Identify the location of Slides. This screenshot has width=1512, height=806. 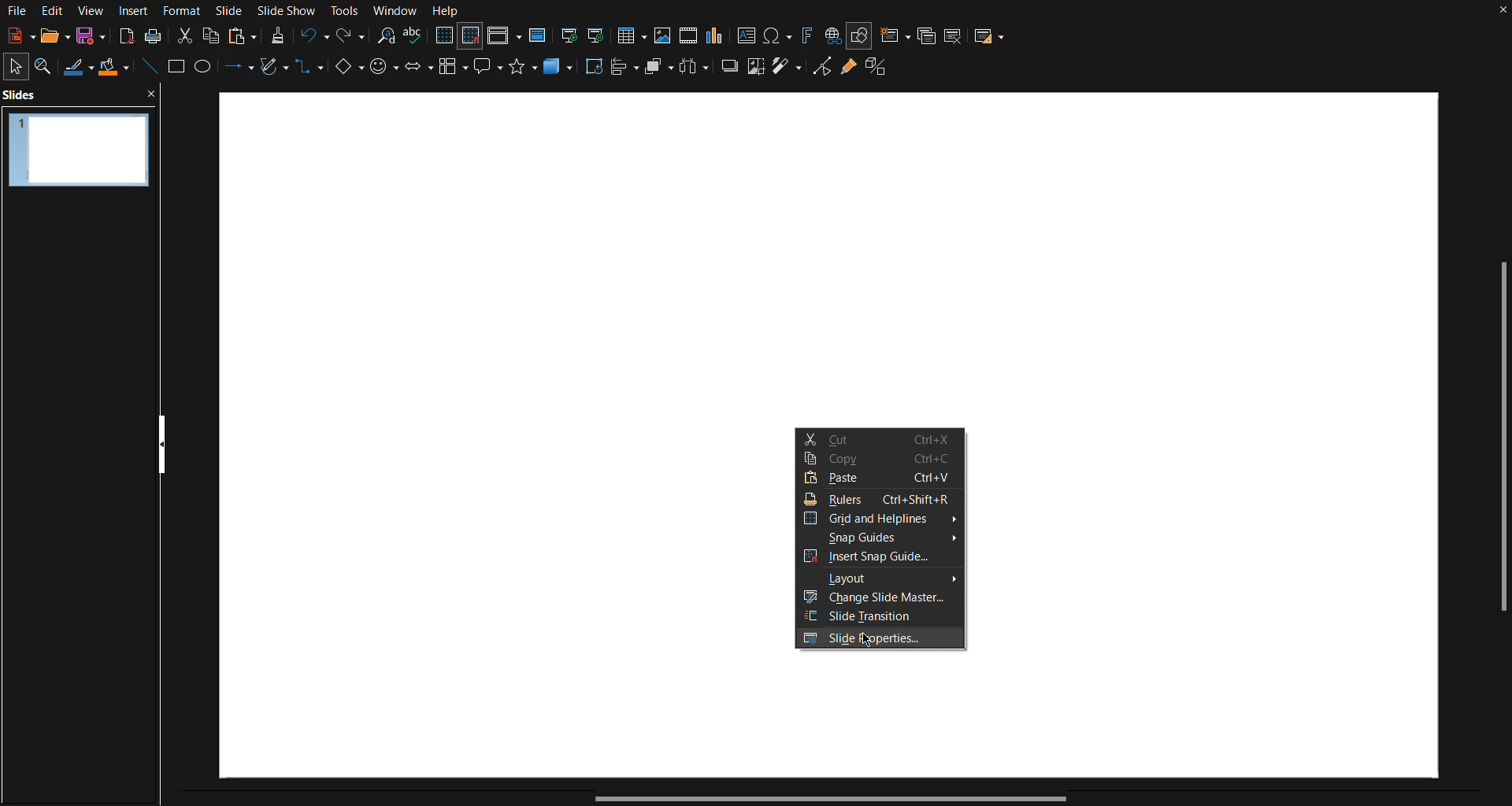
(24, 94).